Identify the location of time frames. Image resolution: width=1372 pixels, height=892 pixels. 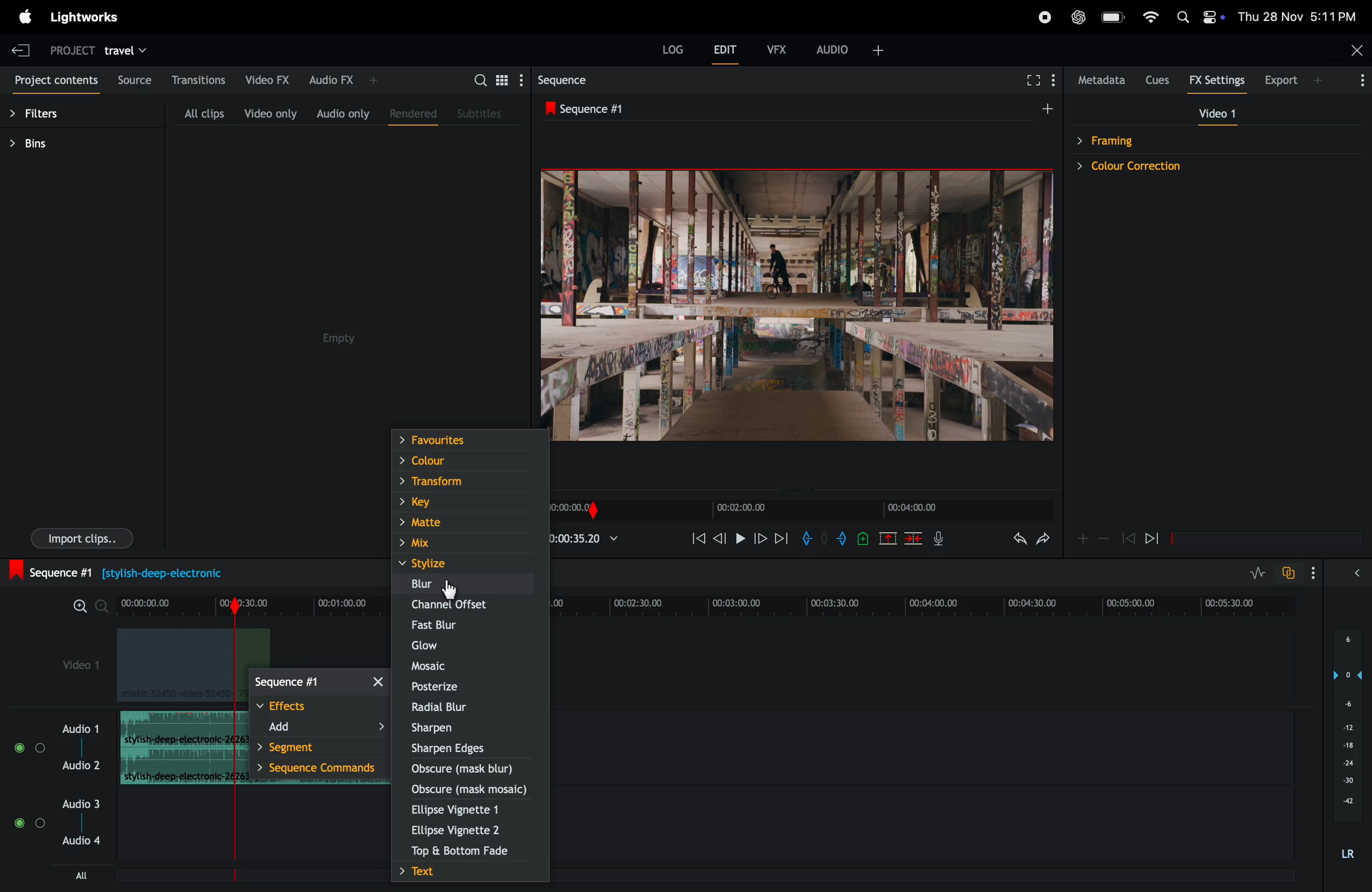
(928, 603).